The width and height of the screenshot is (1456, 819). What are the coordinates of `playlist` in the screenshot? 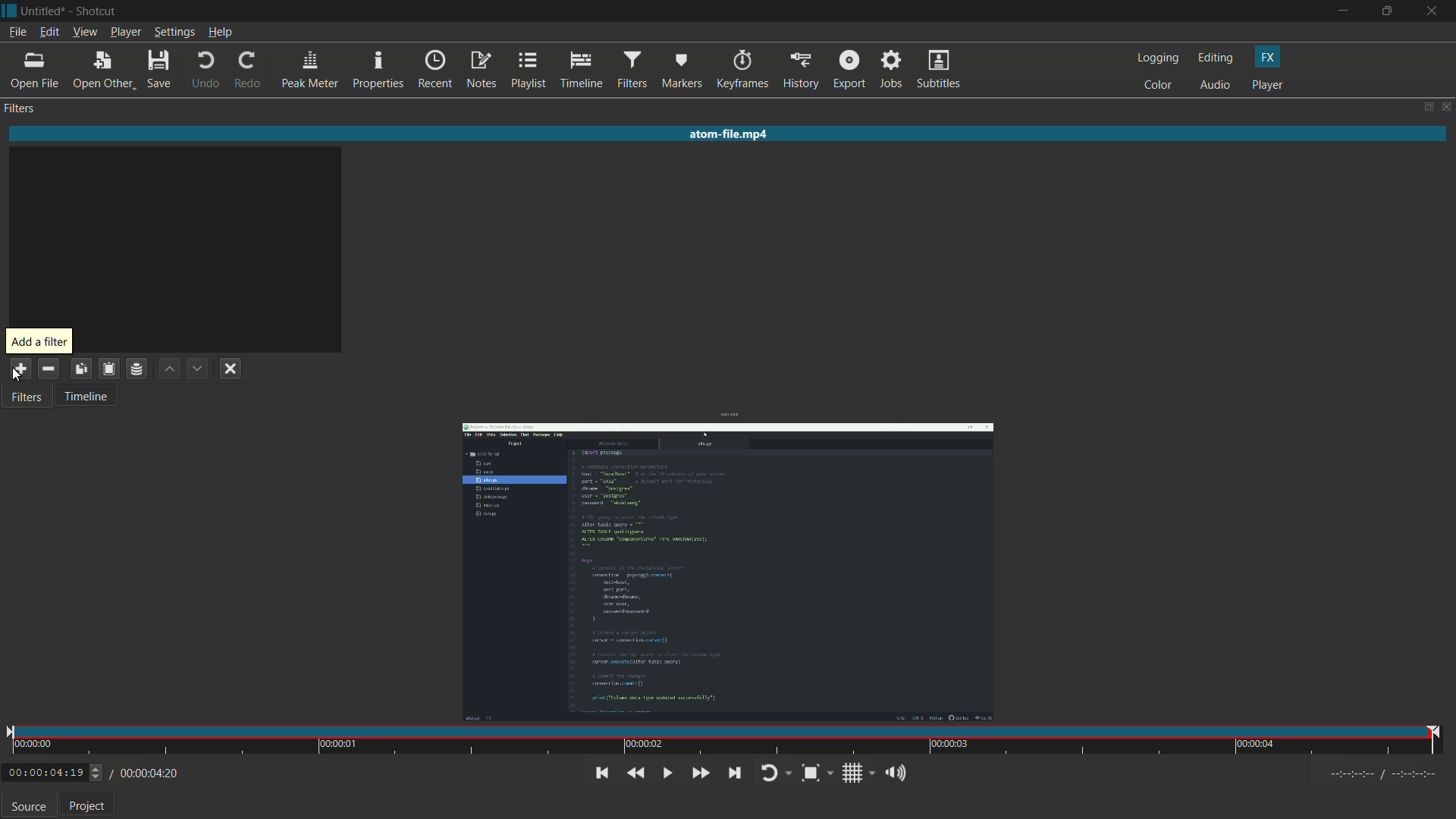 It's located at (527, 69).